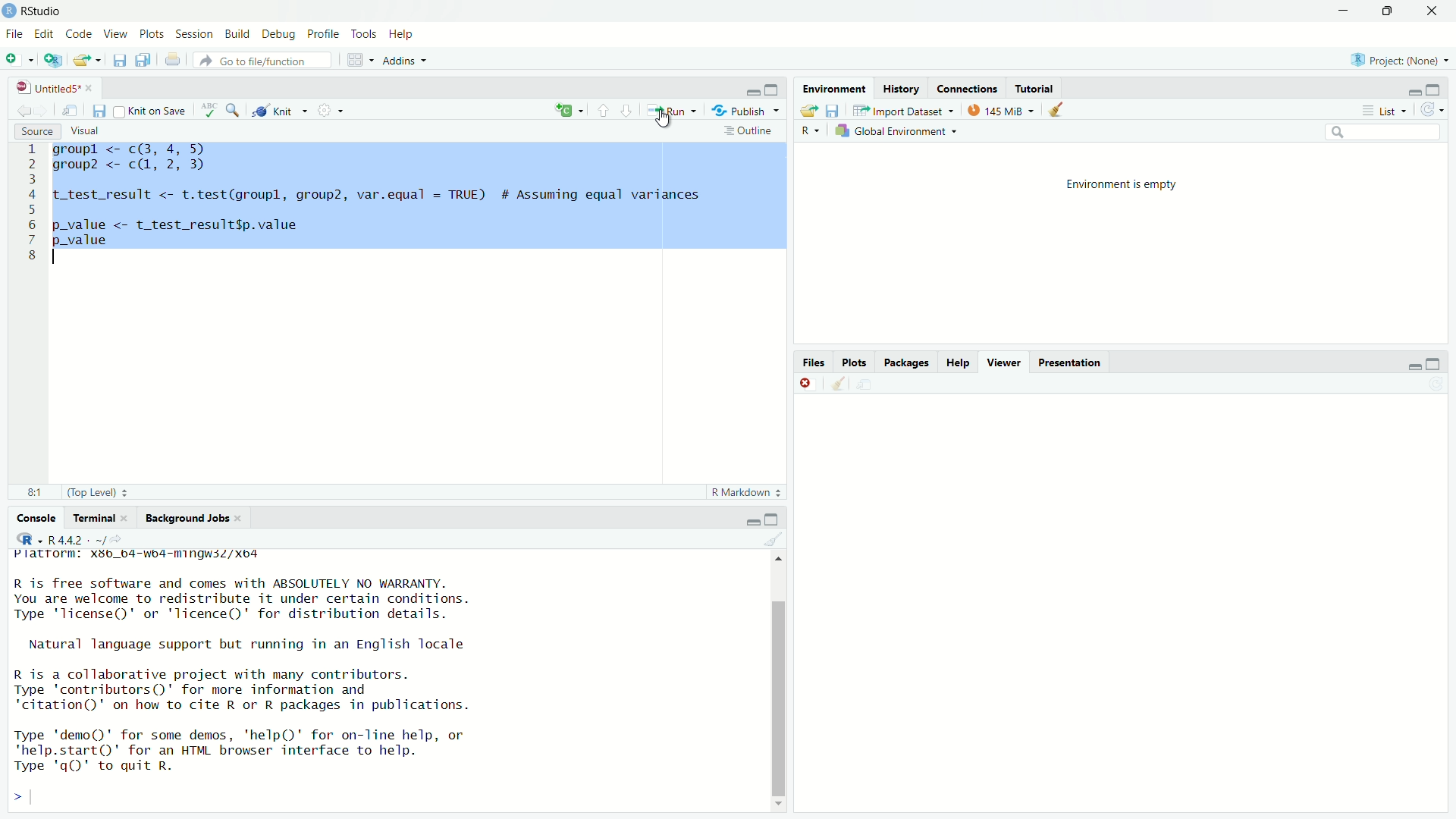  Describe the element at coordinates (814, 362) in the screenshot. I see `Files` at that location.